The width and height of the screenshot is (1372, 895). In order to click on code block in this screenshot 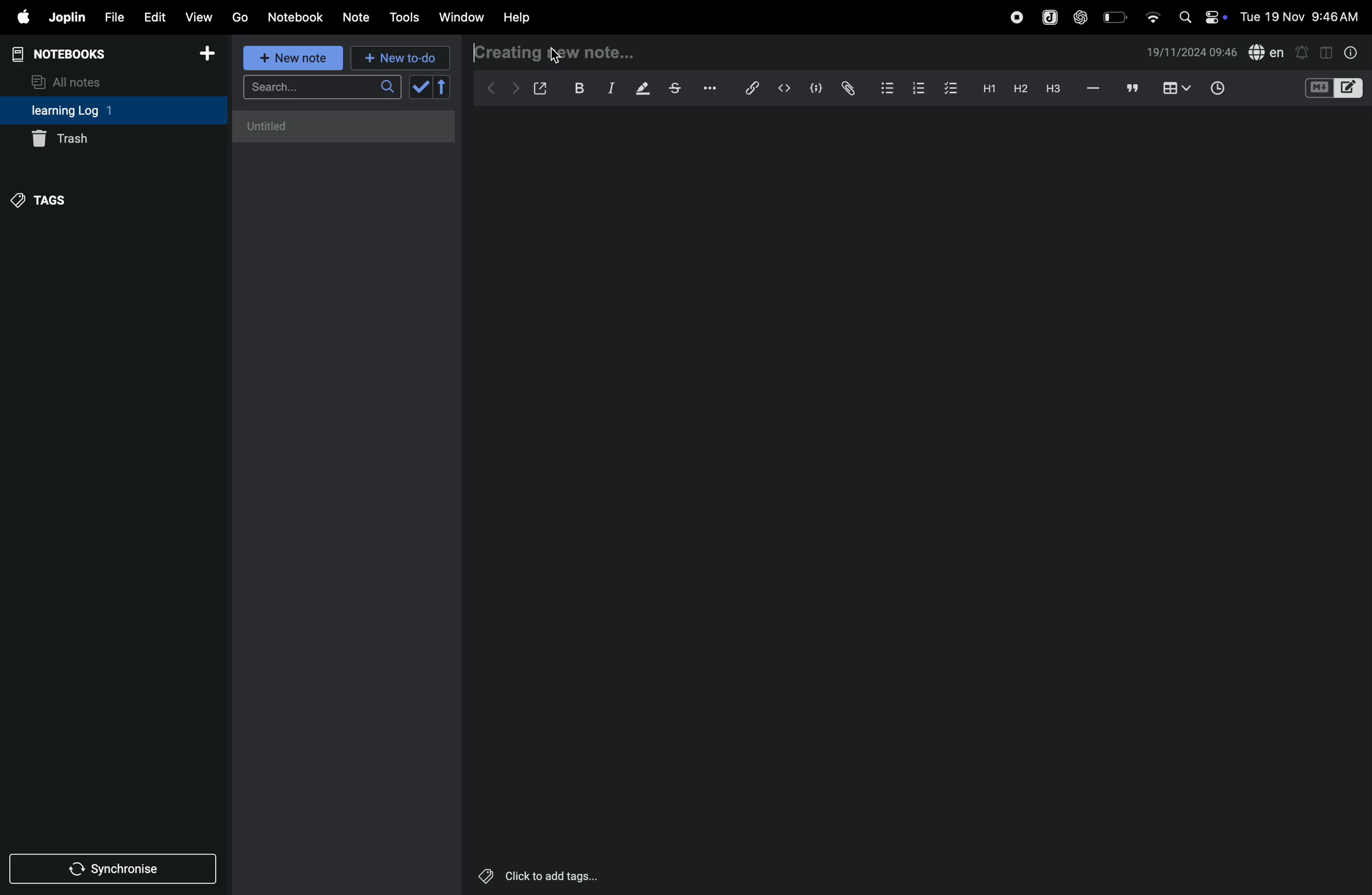, I will do `click(814, 89)`.